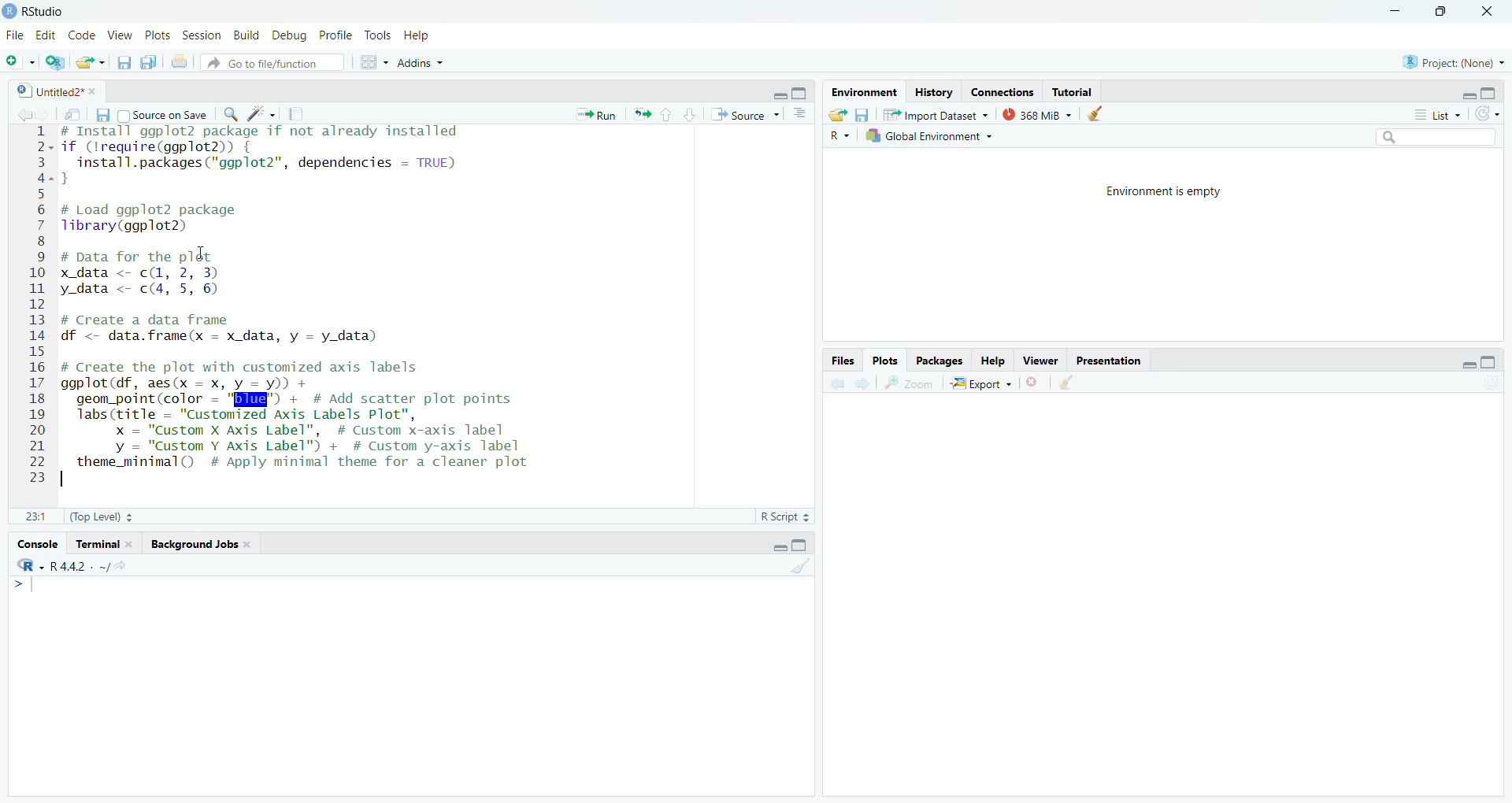 This screenshot has height=803, width=1512. What do you see at coordinates (1452, 62) in the screenshot?
I see `Project: (None)` at bounding box center [1452, 62].